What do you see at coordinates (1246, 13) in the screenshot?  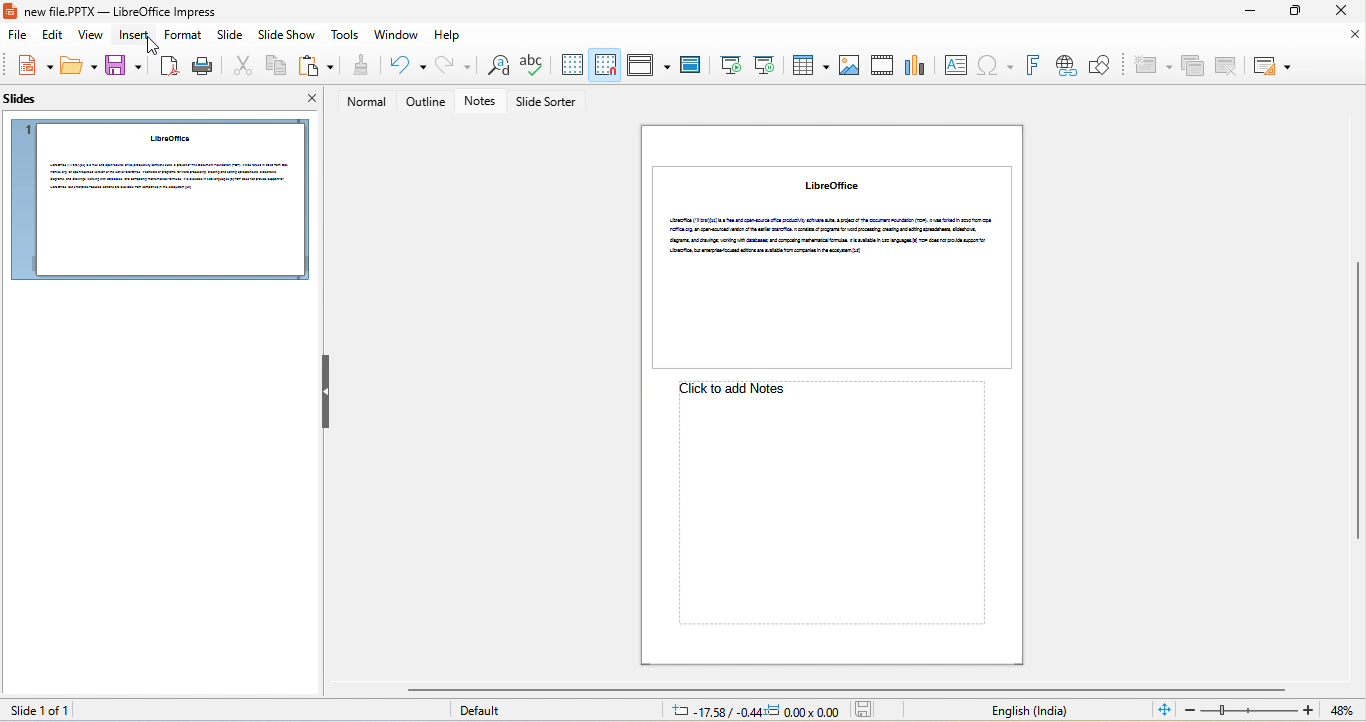 I see `minimize` at bounding box center [1246, 13].